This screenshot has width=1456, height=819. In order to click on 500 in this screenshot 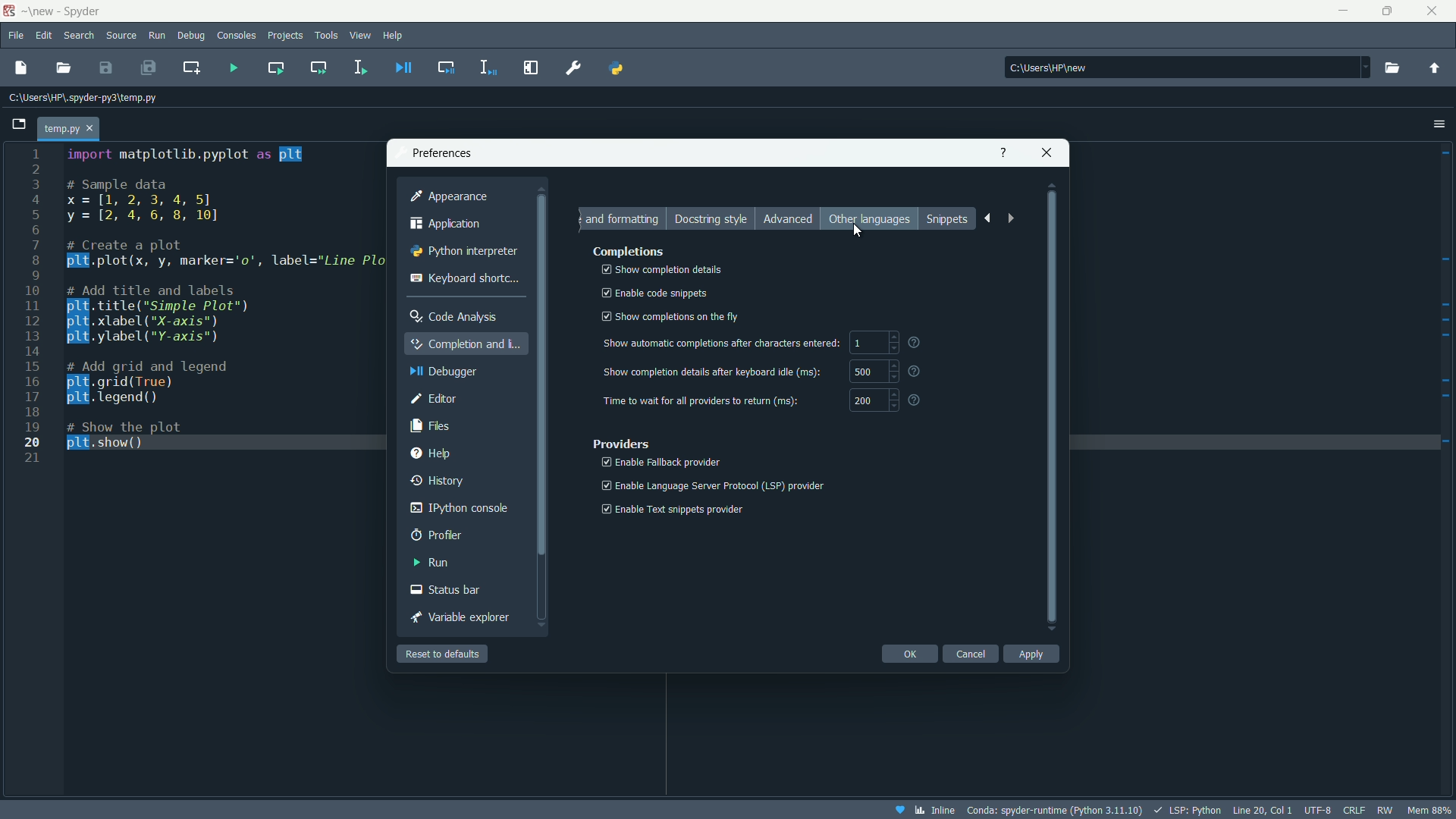, I will do `click(867, 372)`.